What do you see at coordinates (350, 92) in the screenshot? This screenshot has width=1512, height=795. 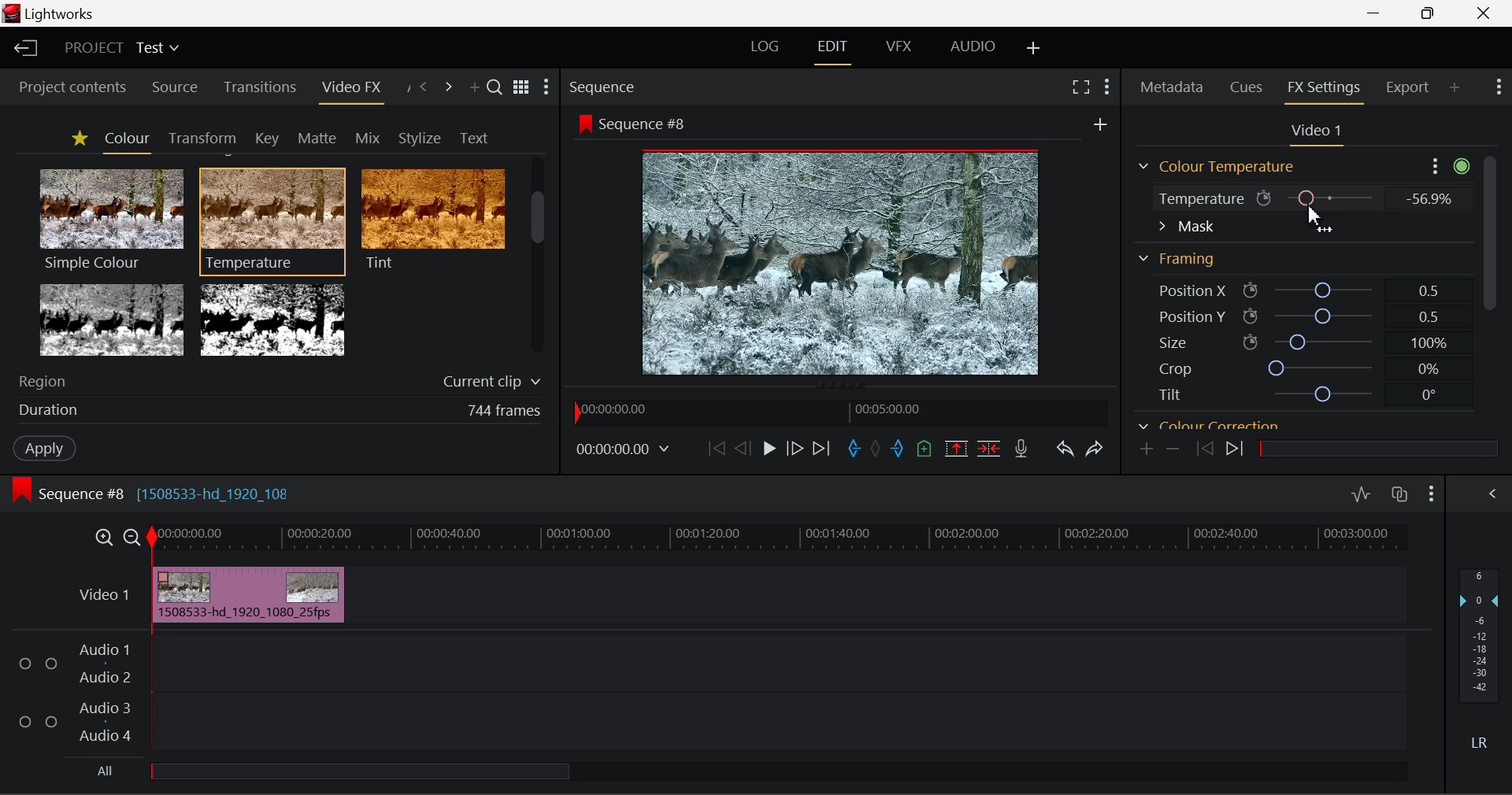 I see `Video FX` at bounding box center [350, 92].